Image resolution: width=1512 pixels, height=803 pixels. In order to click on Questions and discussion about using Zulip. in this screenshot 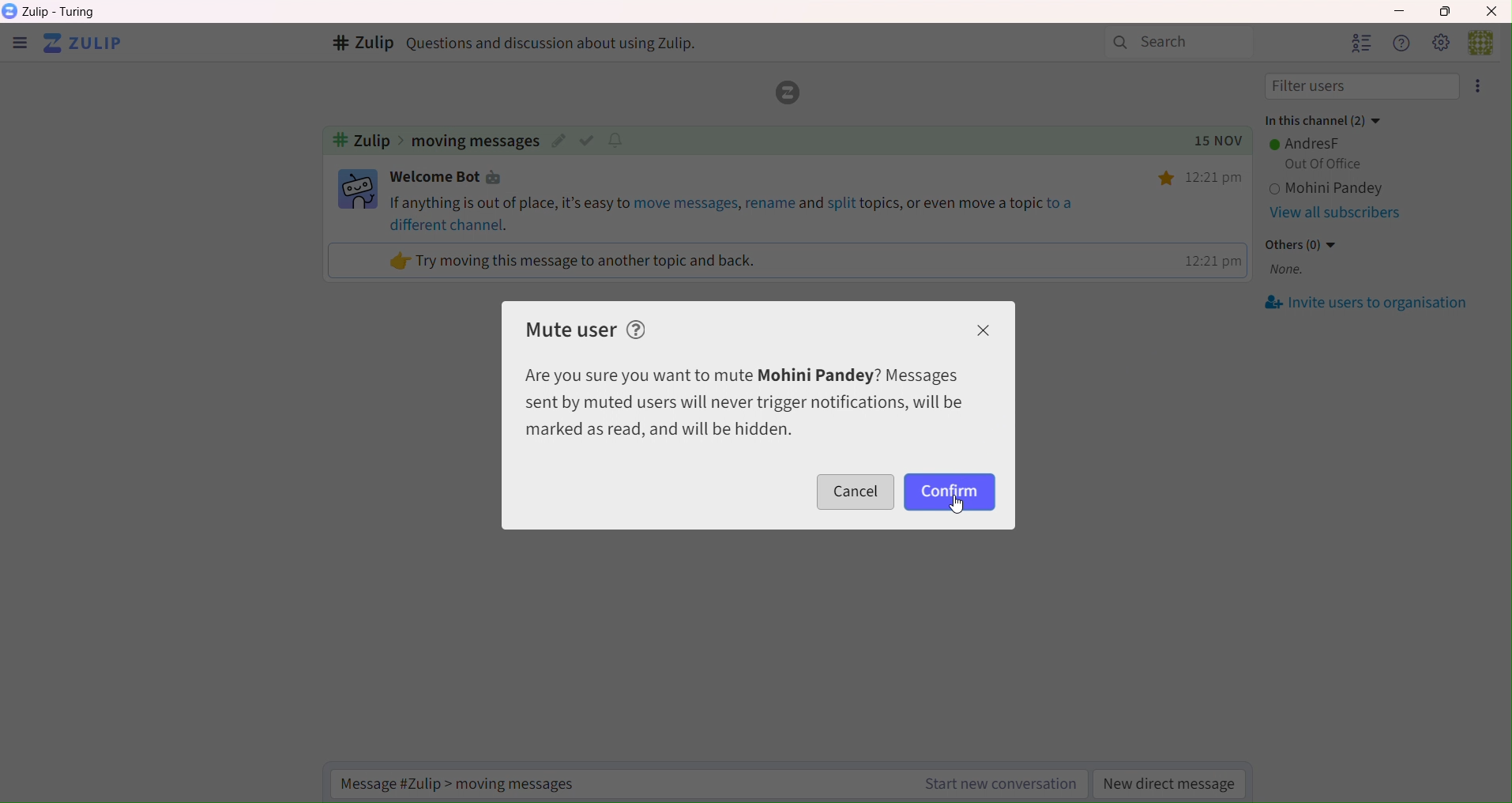, I will do `click(559, 43)`.